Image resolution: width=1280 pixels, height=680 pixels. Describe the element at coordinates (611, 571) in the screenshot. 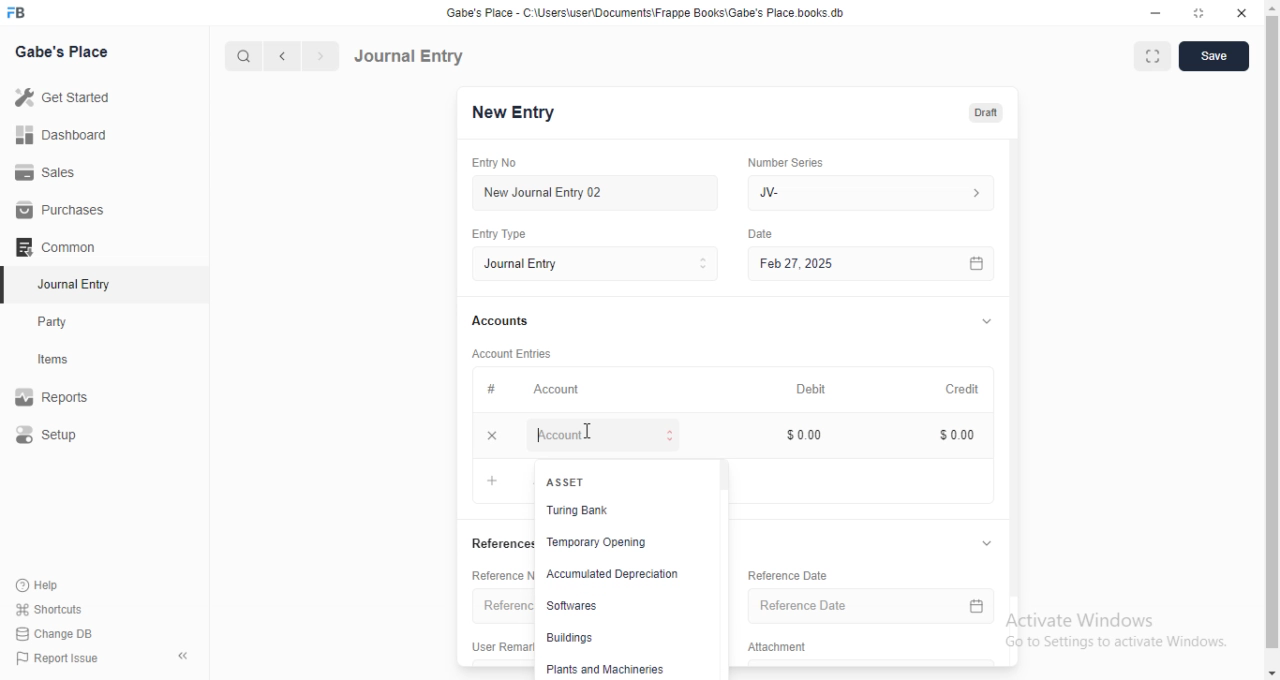

I see `Accumulated Depreciation` at that location.